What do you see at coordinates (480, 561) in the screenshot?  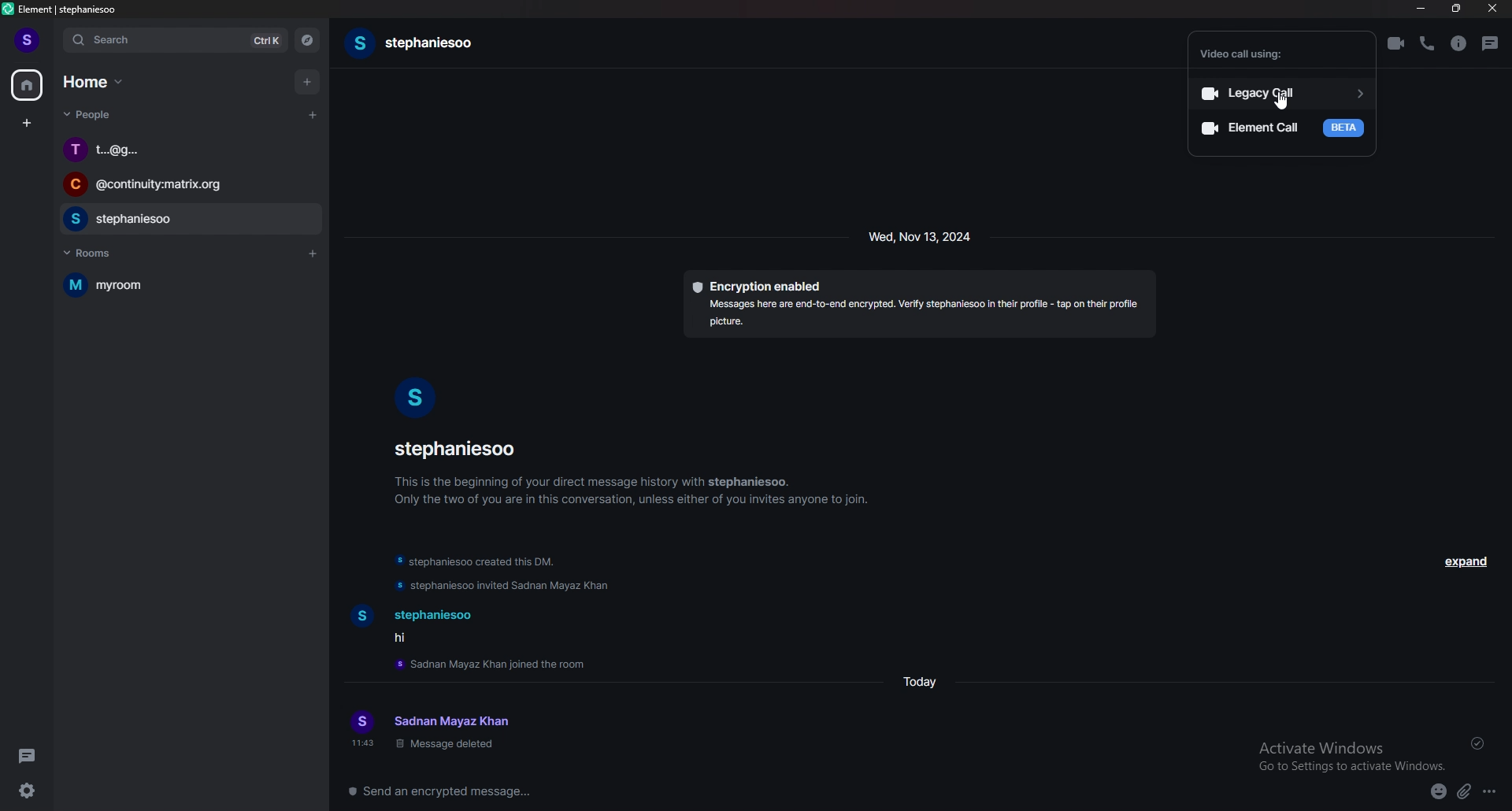 I see `update` at bounding box center [480, 561].